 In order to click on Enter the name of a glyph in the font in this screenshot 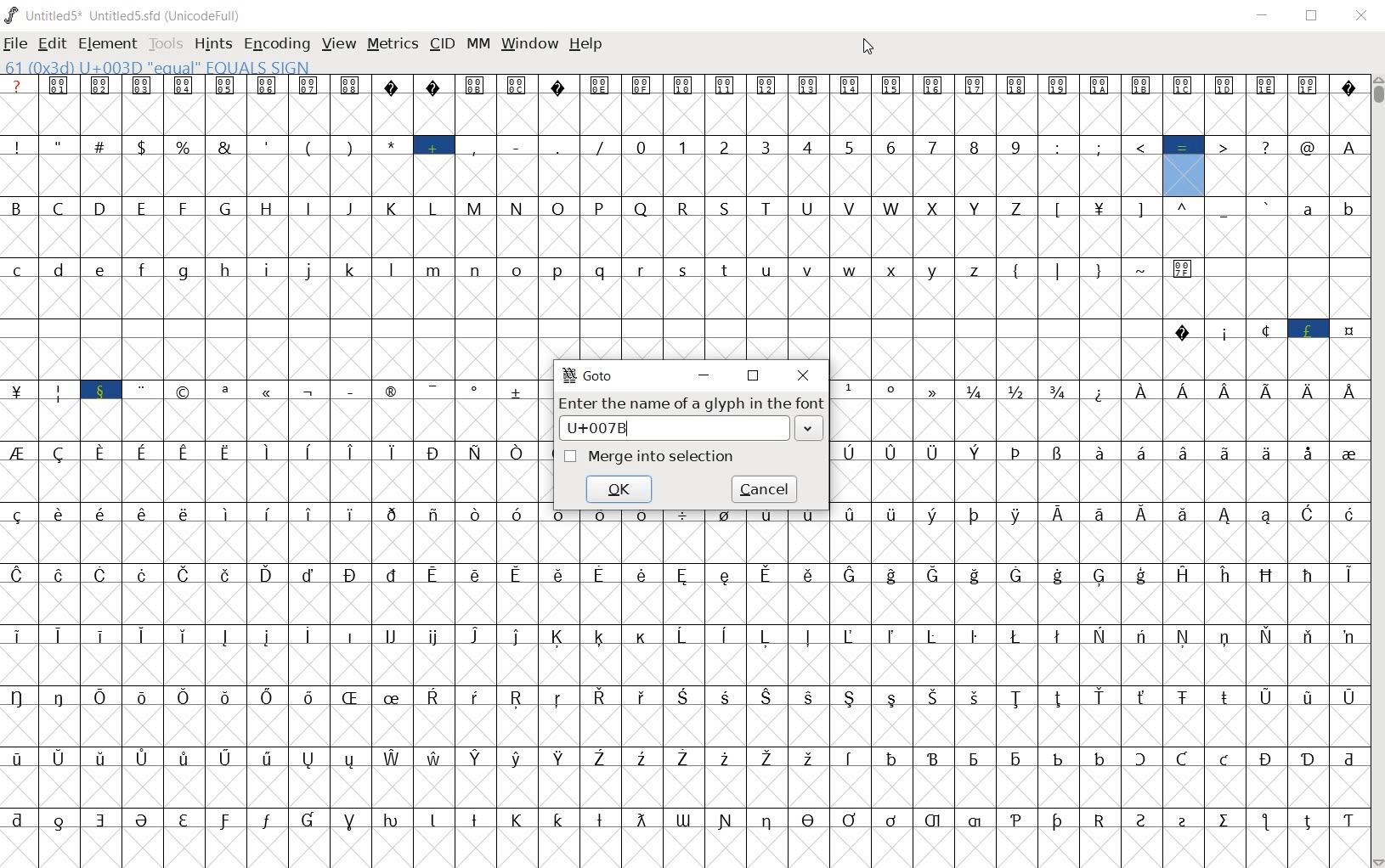, I will do `click(690, 404)`.